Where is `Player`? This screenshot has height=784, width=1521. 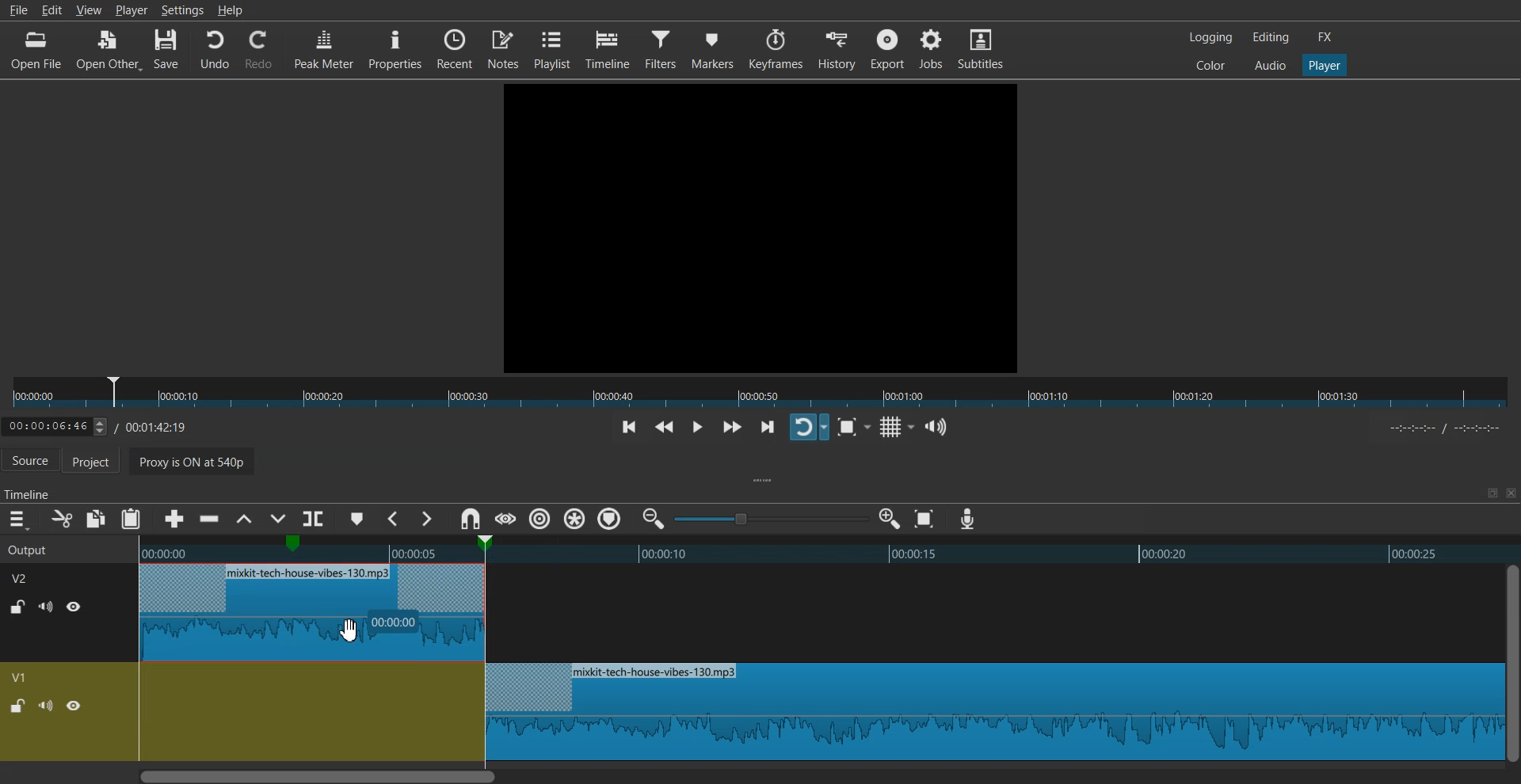
Player is located at coordinates (132, 10).